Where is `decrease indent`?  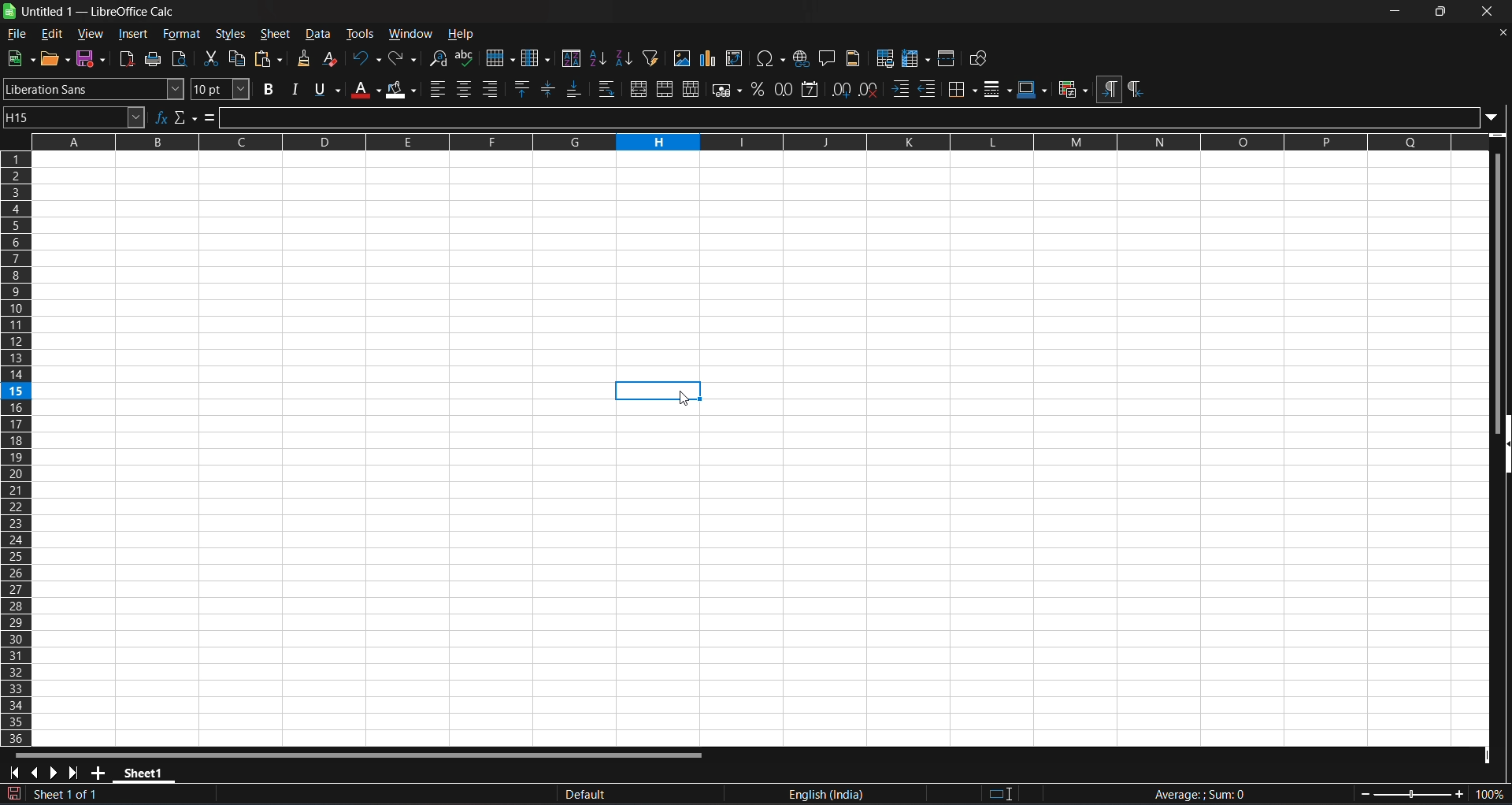
decrease indent is located at coordinates (927, 88).